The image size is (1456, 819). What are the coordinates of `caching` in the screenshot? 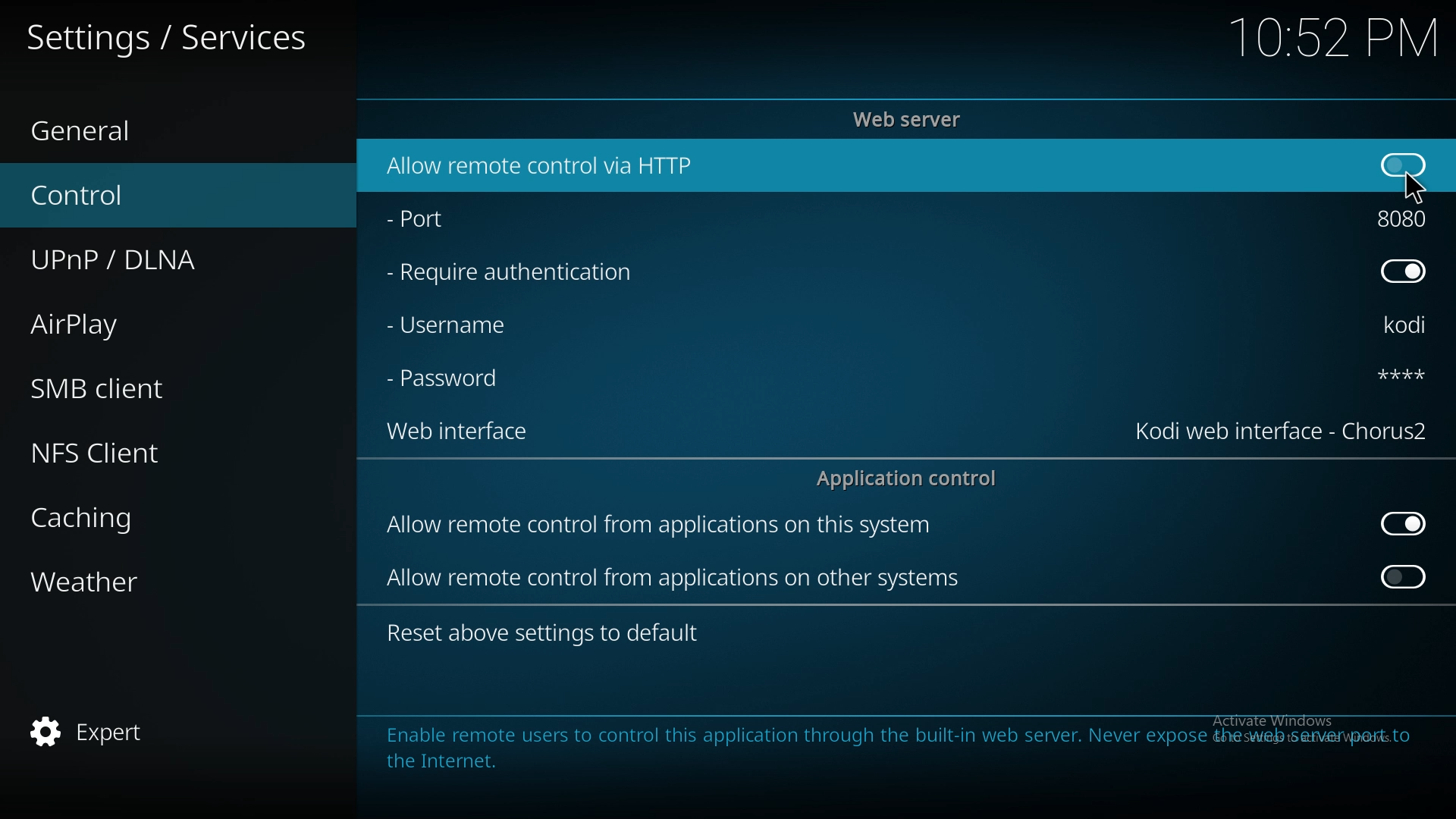 It's located at (155, 514).